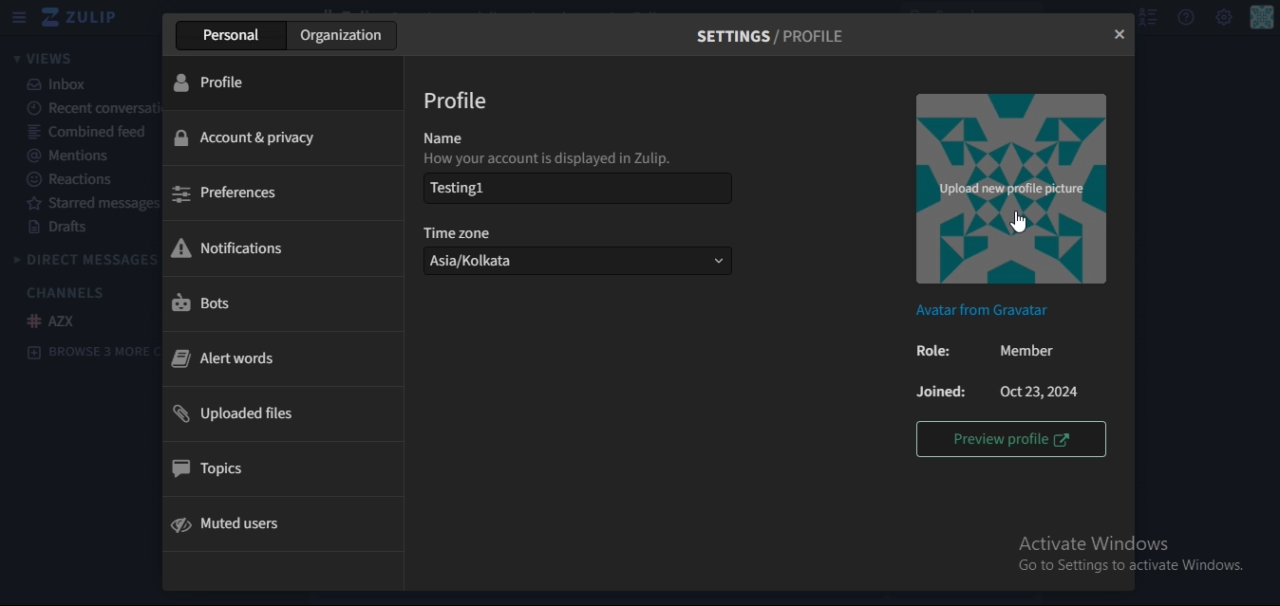 The width and height of the screenshot is (1280, 606). Describe the element at coordinates (74, 178) in the screenshot. I see `reactions` at that location.